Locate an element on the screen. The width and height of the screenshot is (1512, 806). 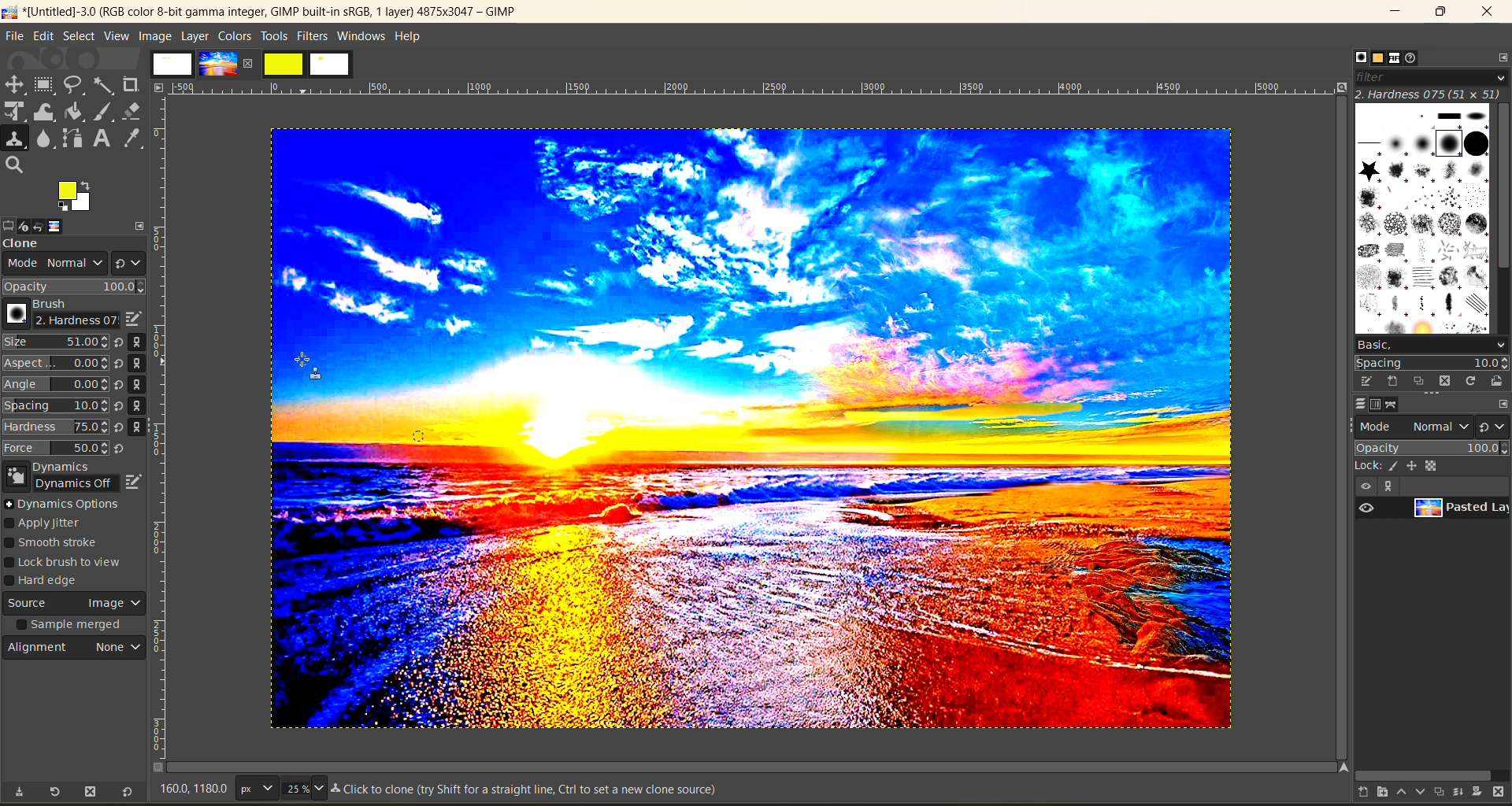
smooth stroke is located at coordinates (57, 544).